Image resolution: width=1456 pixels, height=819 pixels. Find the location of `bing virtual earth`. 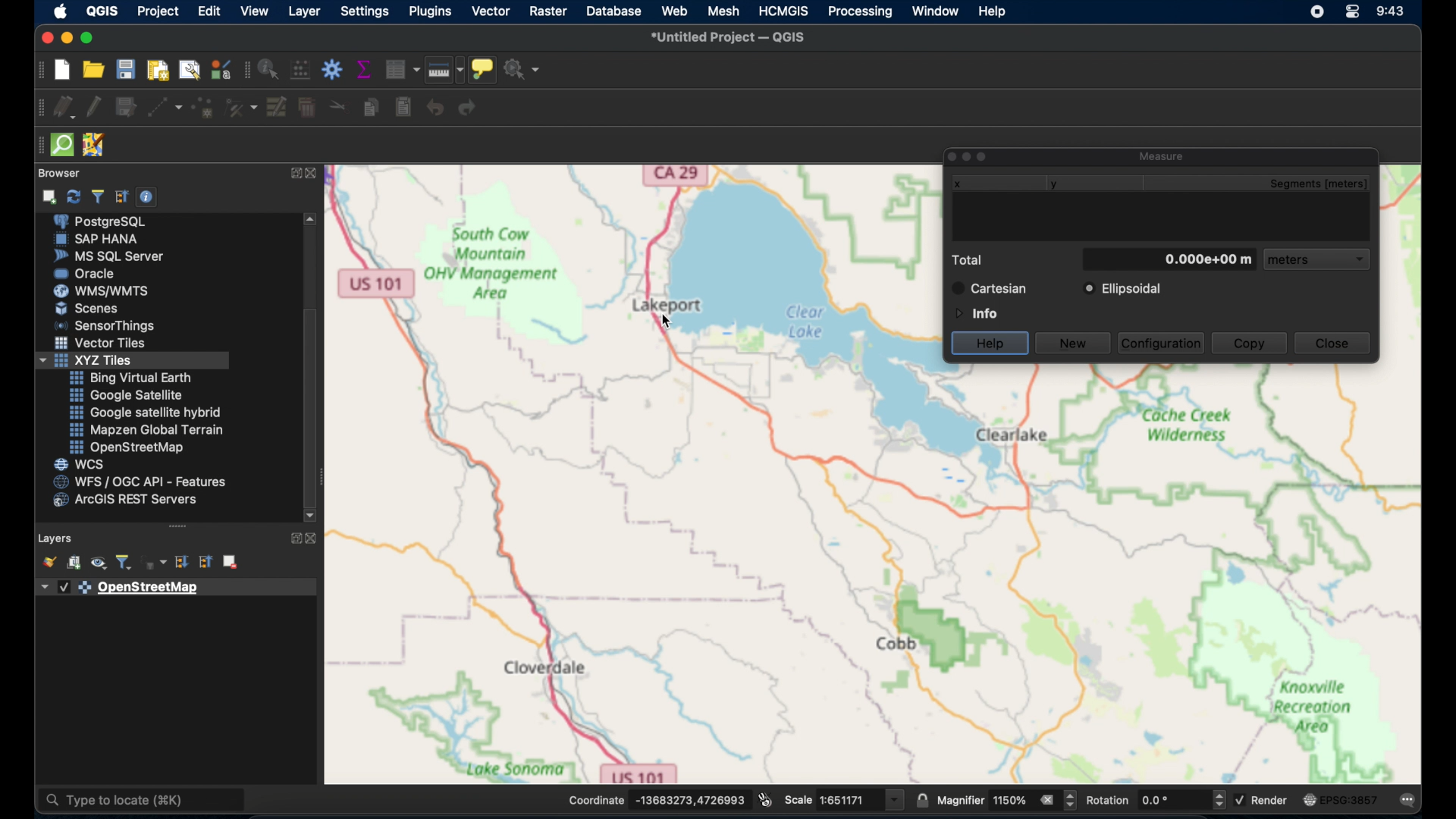

bing virtual earth is located at coordinates (130, 378).